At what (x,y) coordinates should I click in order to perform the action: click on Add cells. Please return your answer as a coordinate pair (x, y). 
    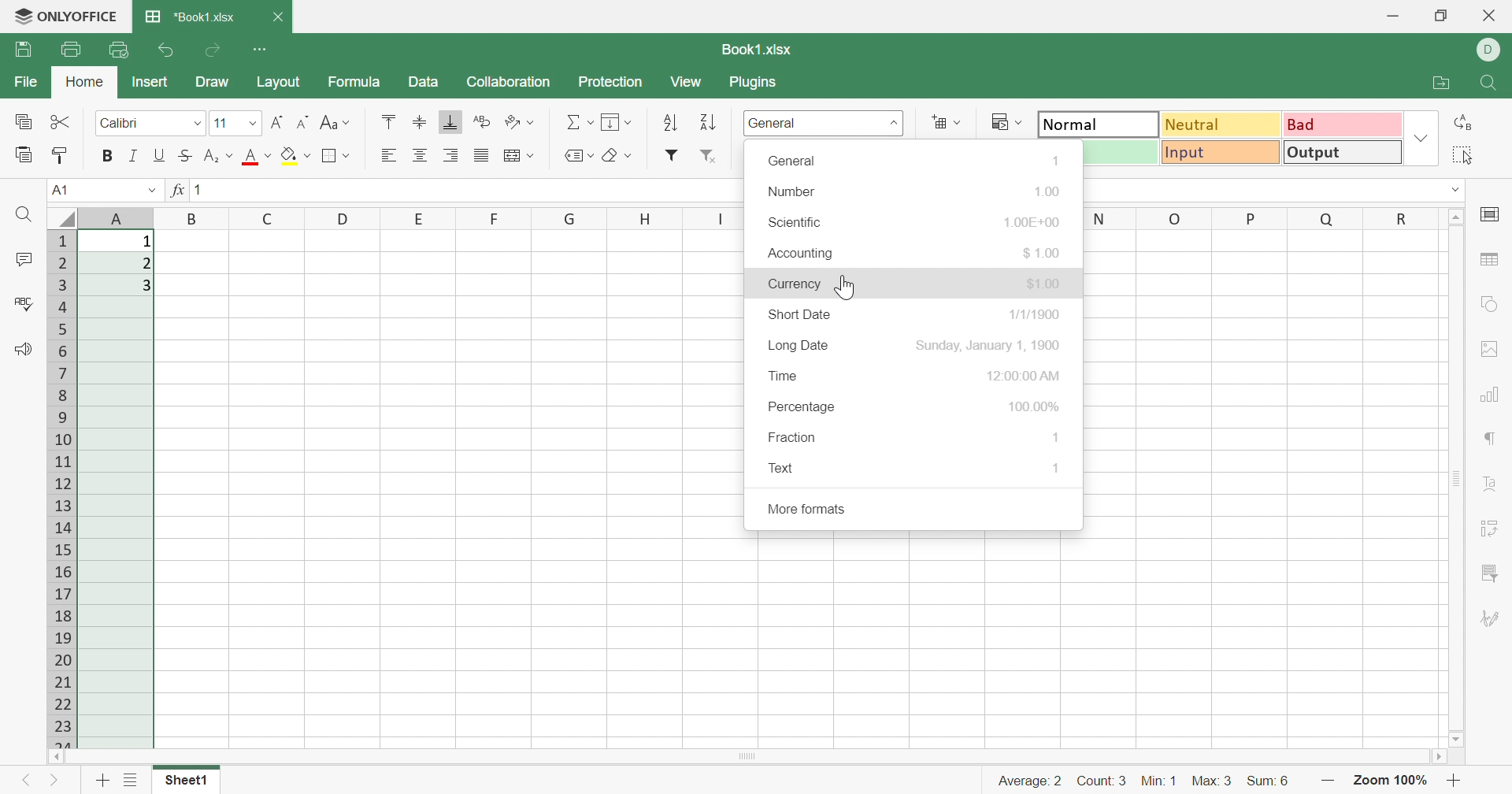
    Looking at the image, I should click on (944, 121).